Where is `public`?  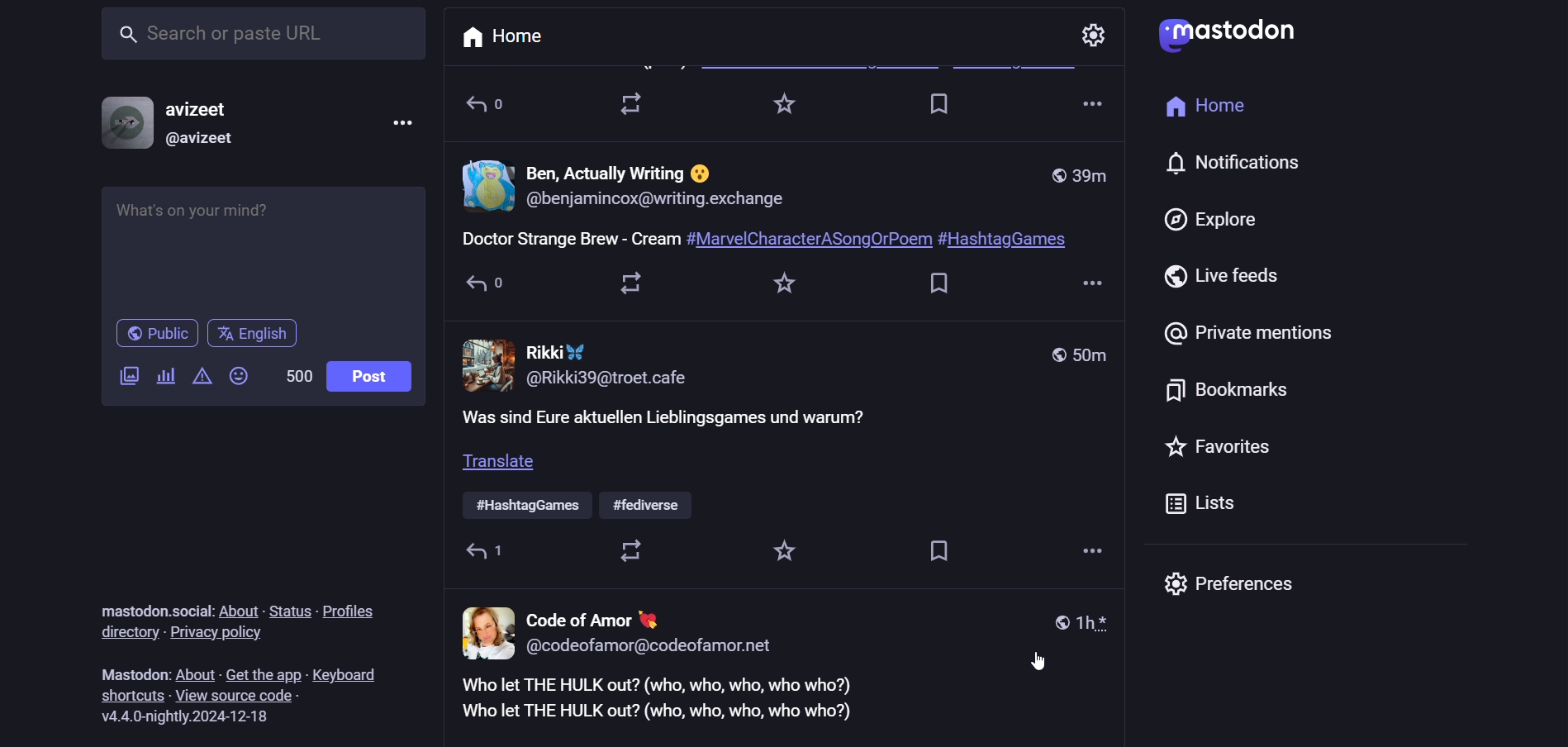
public is located at coordinates (158, 334).